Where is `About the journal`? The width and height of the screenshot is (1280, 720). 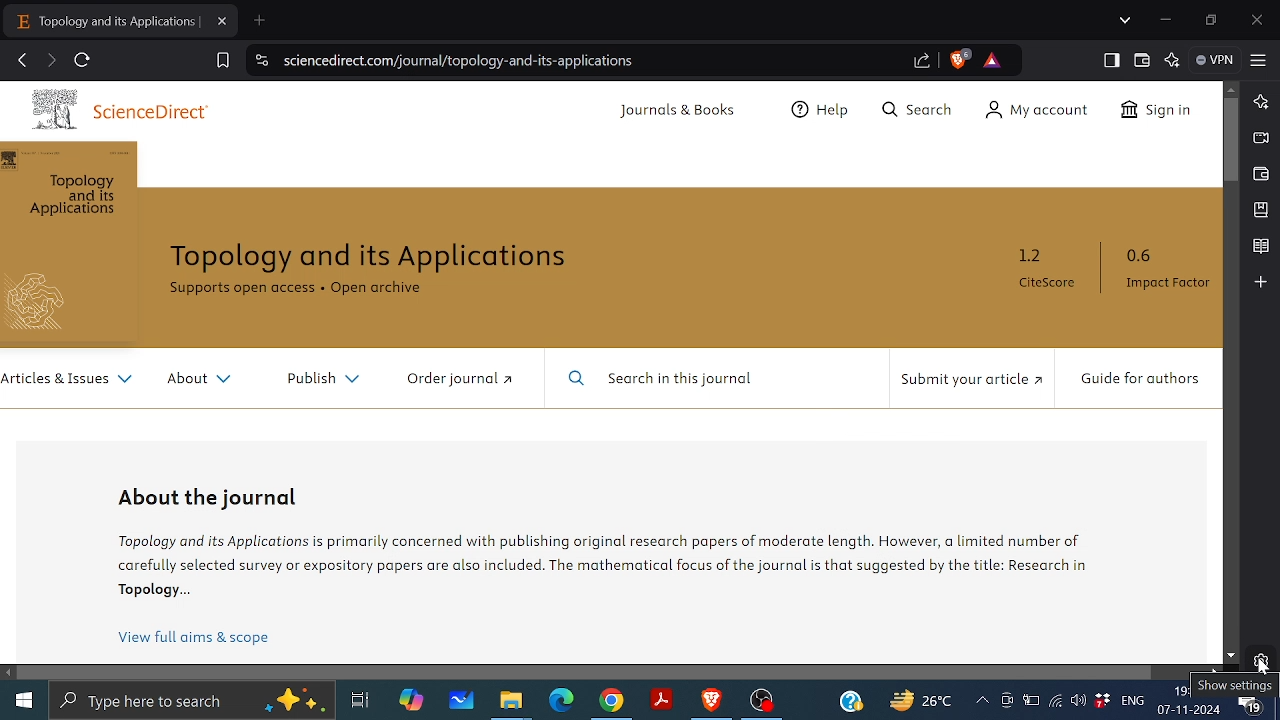 About the journal is located at coordinates (217, 498).